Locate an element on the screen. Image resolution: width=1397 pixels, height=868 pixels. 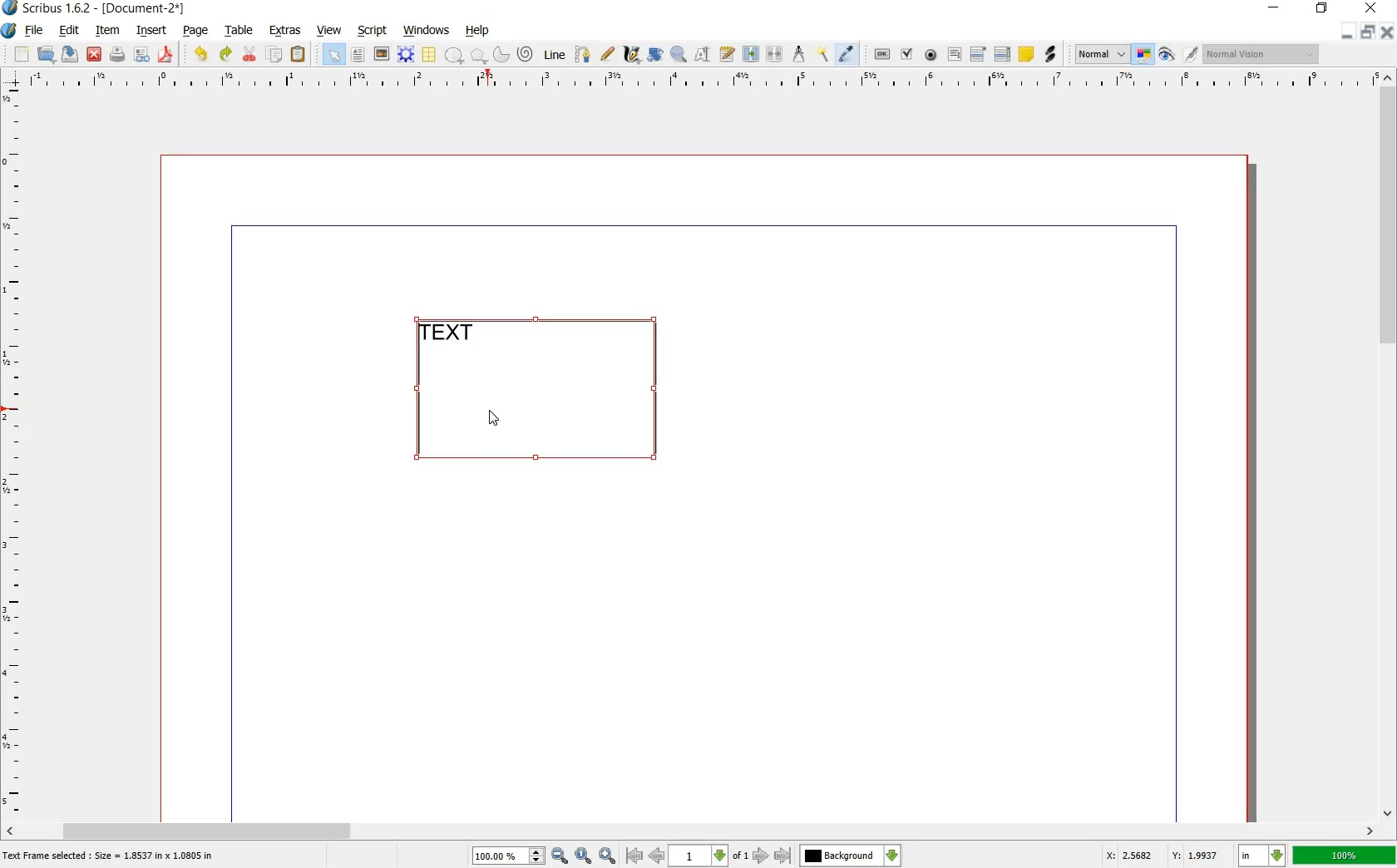
bezier curve is located at coordinates (584, 56).